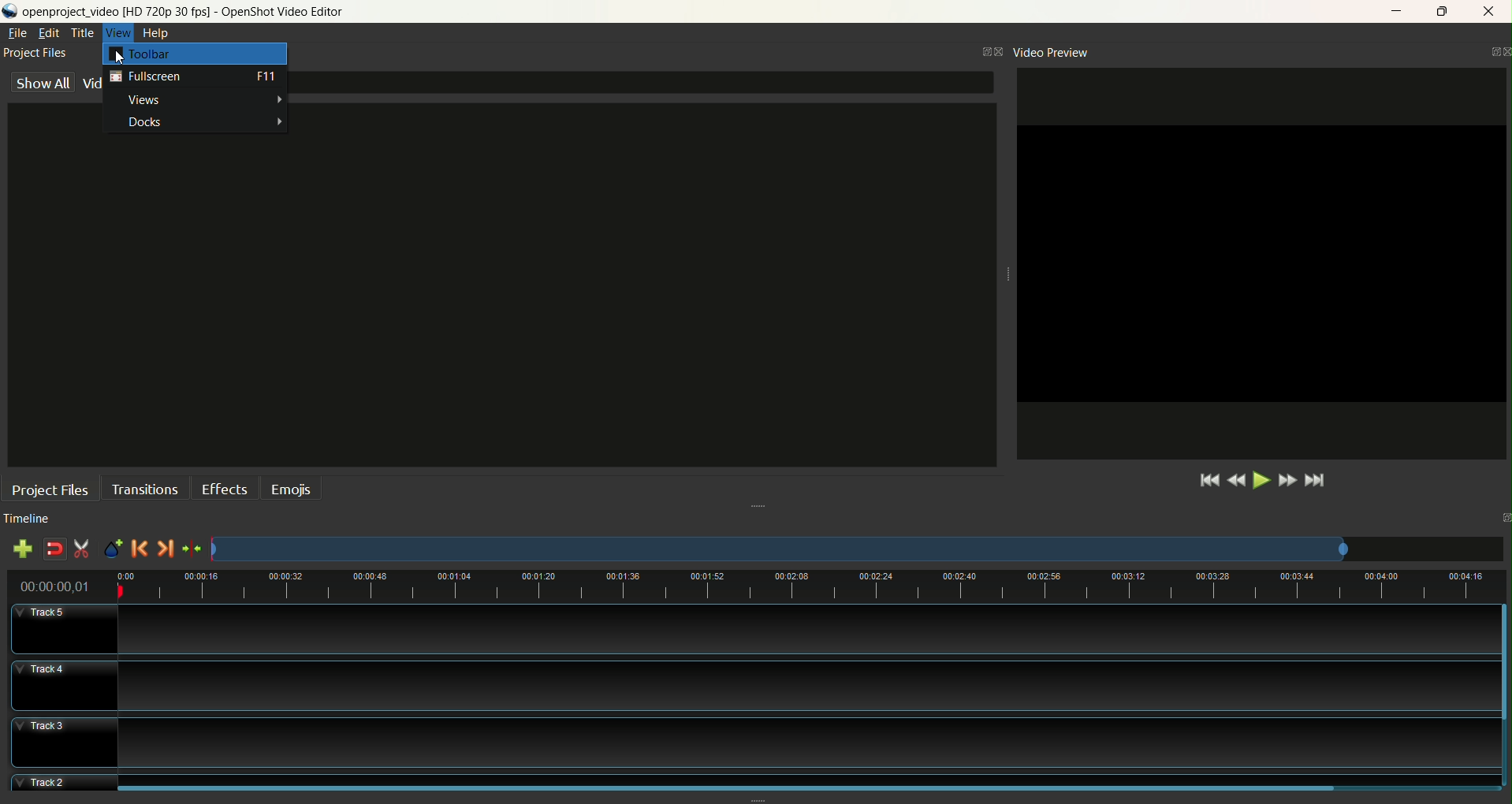  Describe the element at coordinates (10, 13) in the screenshot. I see `logo` at that location.